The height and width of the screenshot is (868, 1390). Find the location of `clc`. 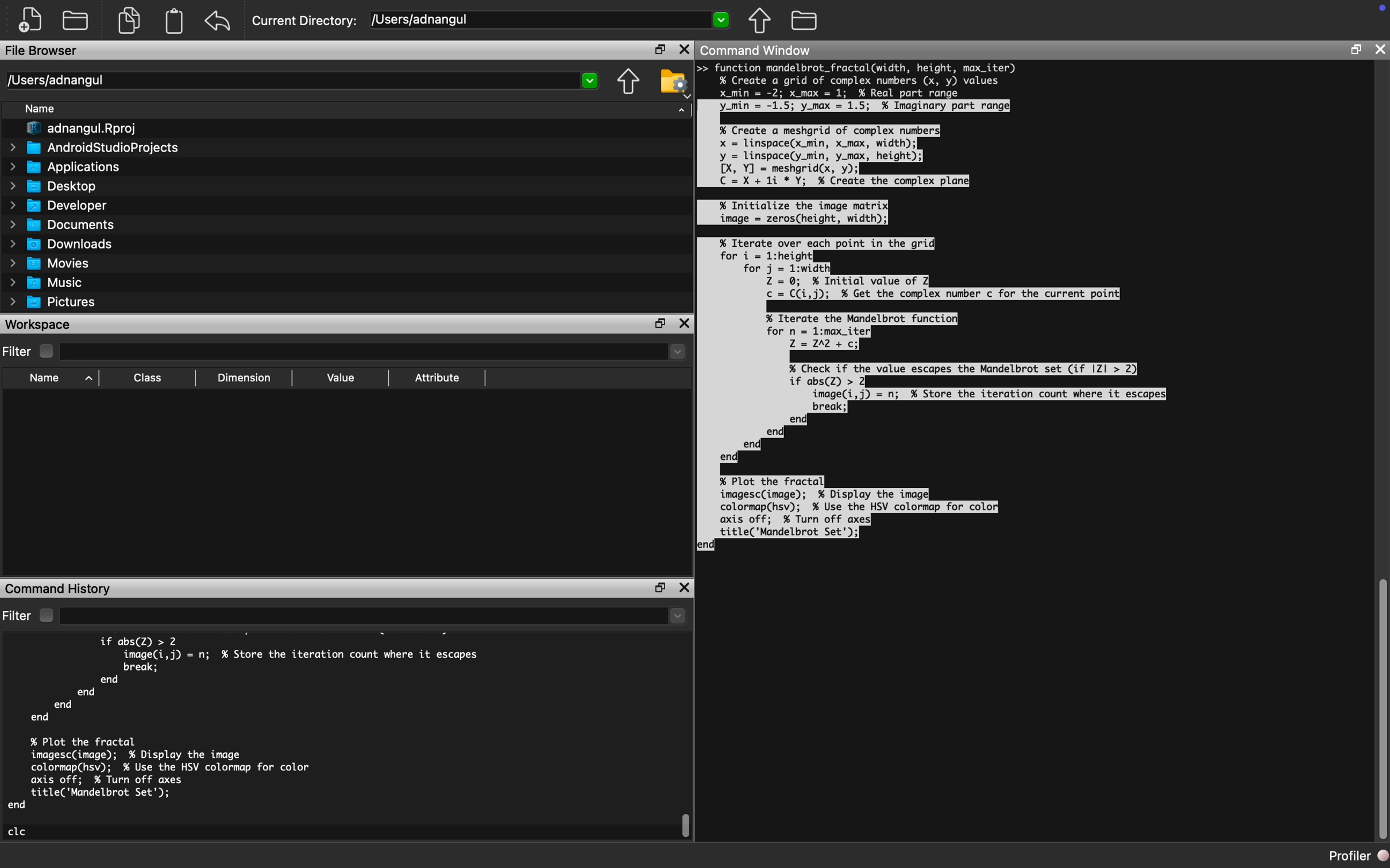

clc is located at coordinates (19, 831).